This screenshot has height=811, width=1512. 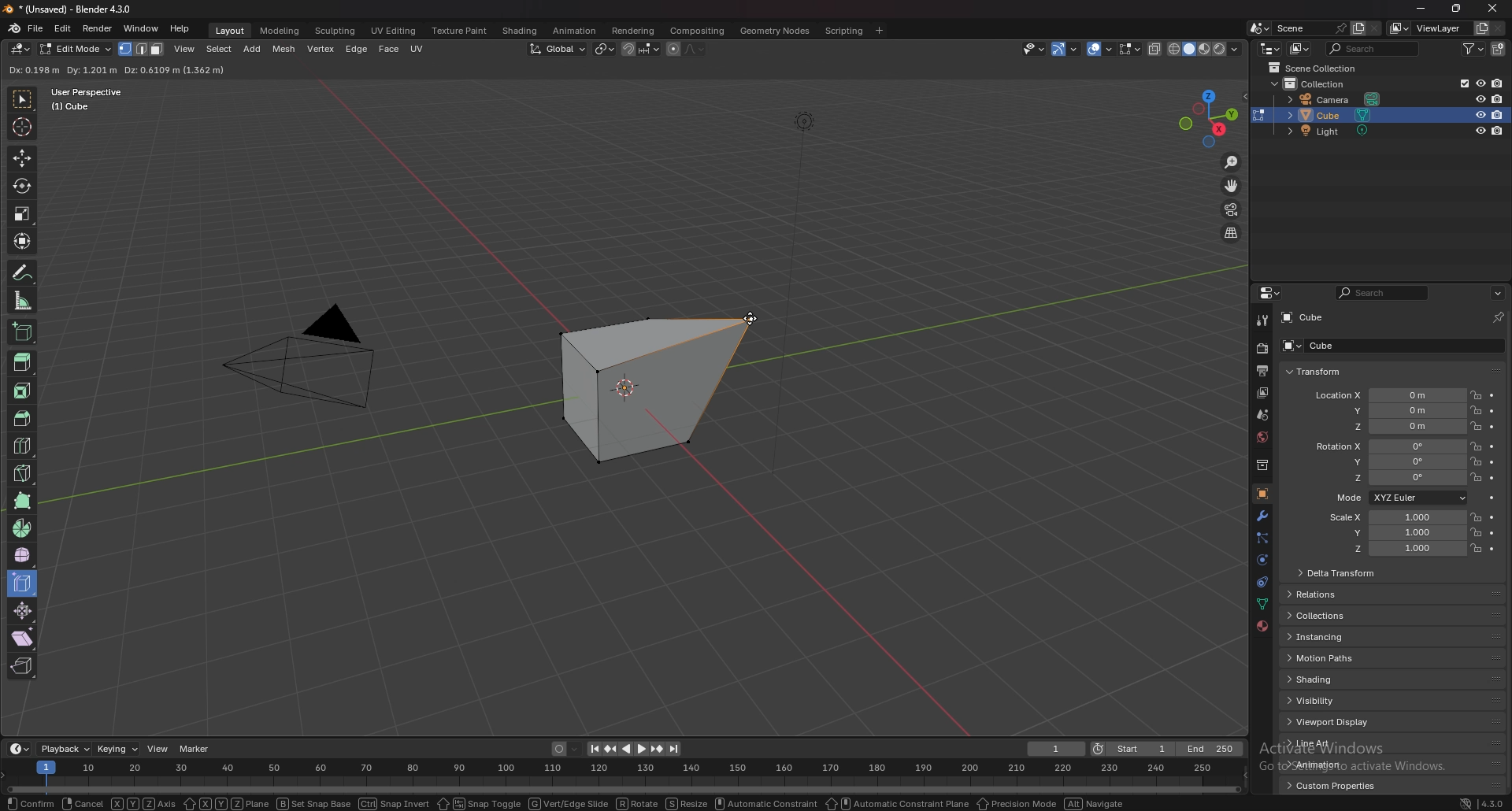 What do you see at coordinates (117, 750) in the screenshot?
I see `keying` at bounding box center [117, 750].